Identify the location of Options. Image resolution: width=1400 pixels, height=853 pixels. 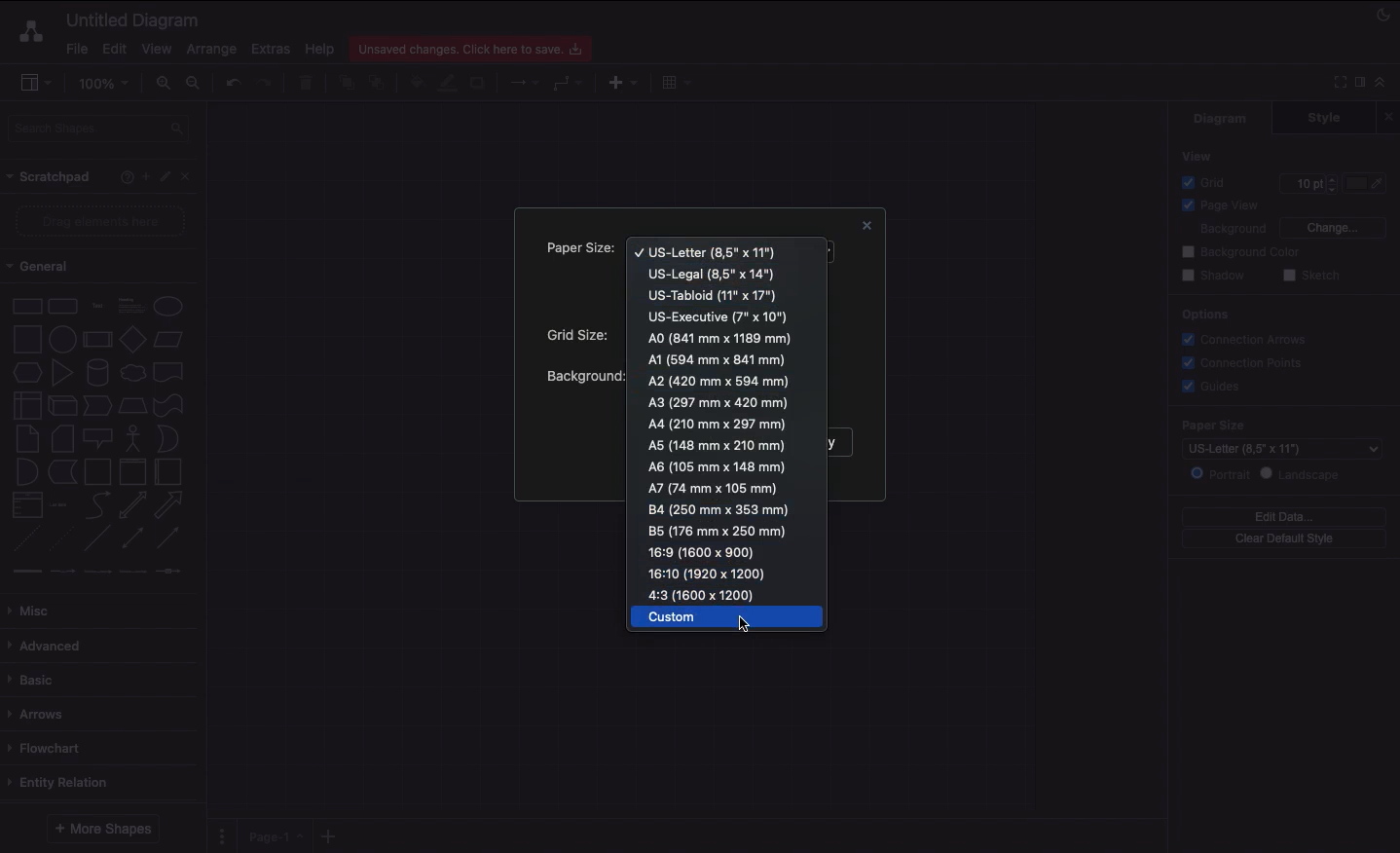
(1203, 314).